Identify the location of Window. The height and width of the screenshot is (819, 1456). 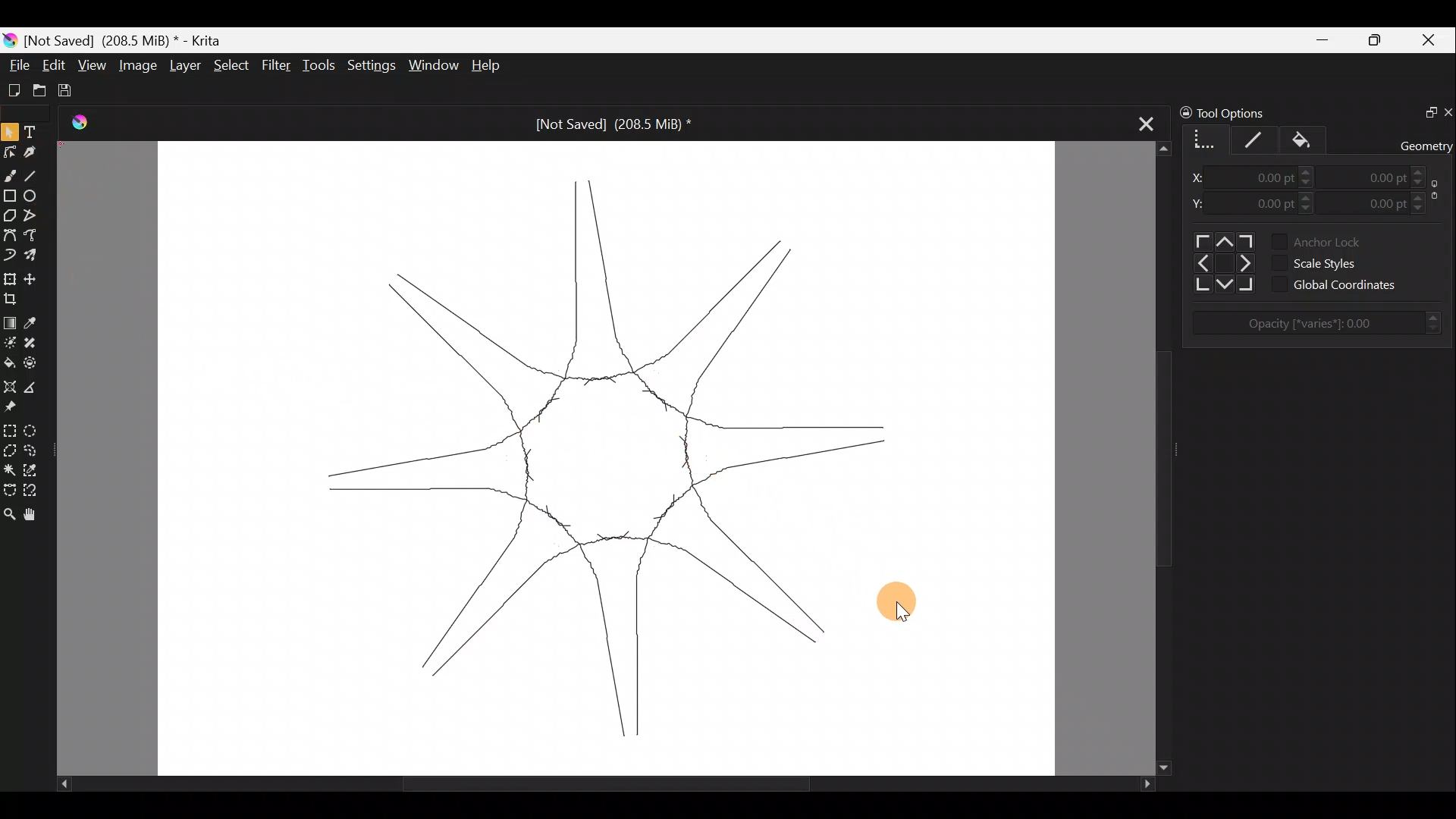
(432, 66).